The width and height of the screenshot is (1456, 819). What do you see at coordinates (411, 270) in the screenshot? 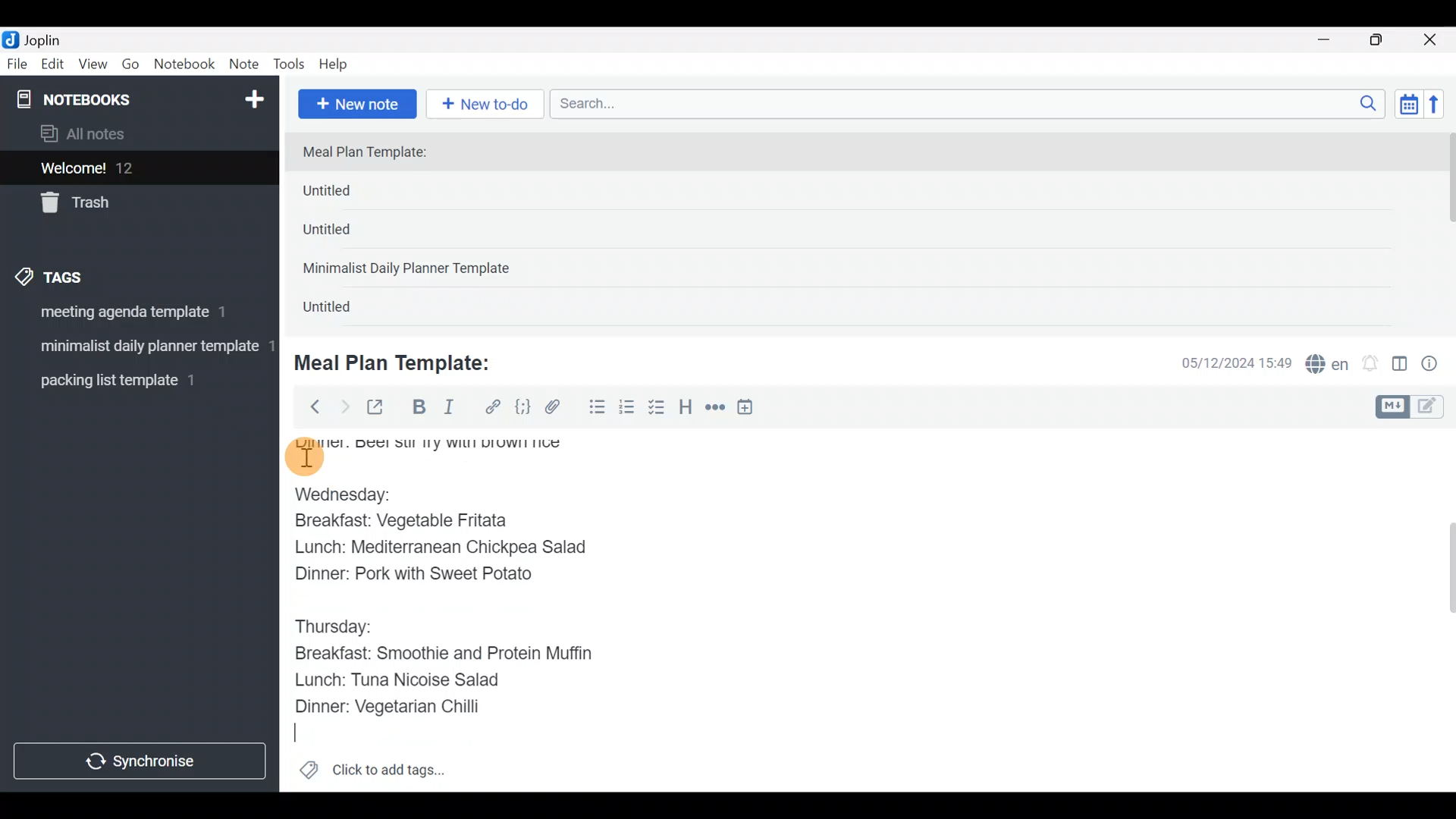
I see `Minimalist Daily Planner Template` at bounding box center [411, 270].